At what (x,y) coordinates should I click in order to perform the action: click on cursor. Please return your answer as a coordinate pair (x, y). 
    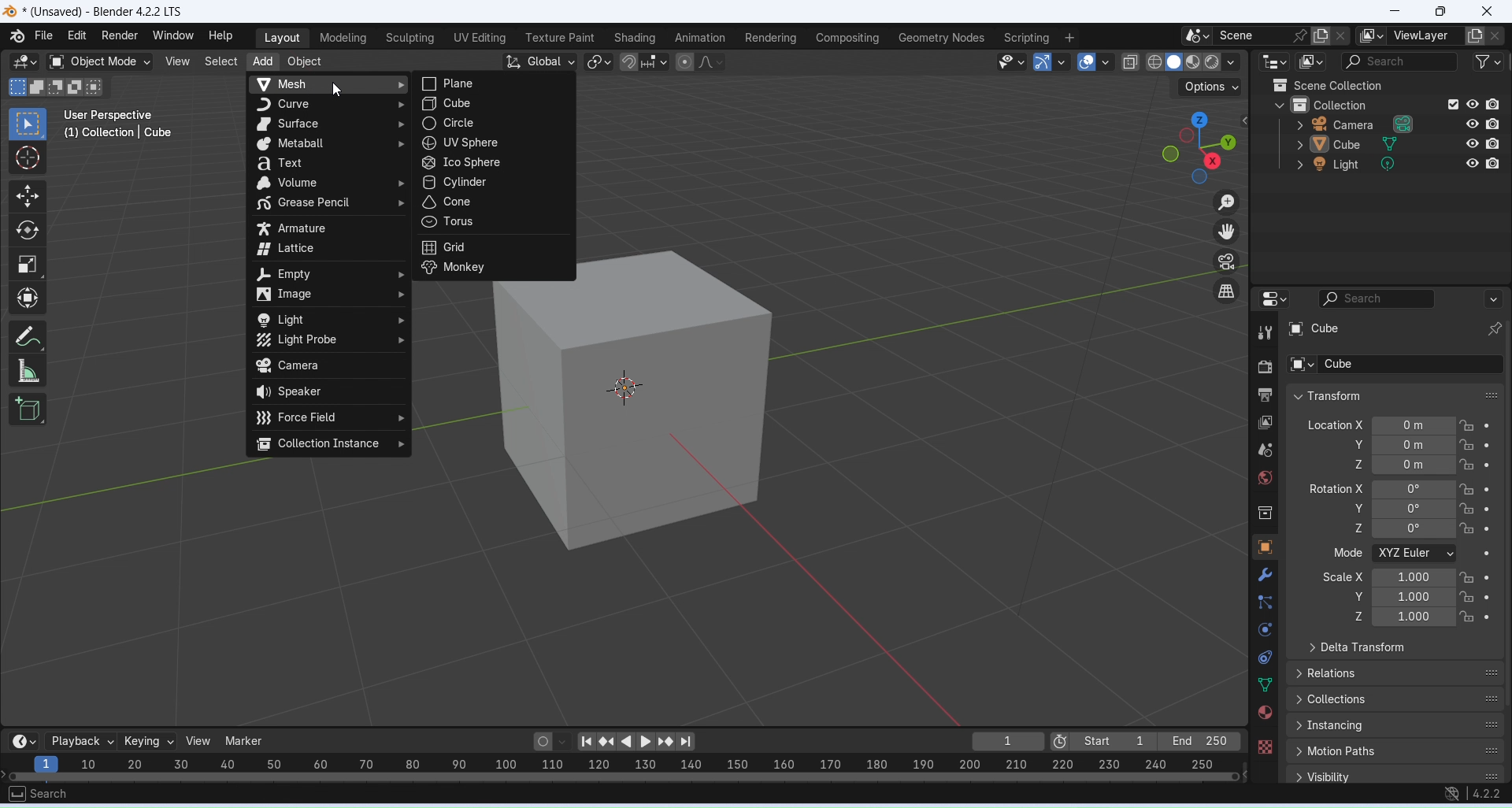
    Looking at the image, I should click on (340, 93).